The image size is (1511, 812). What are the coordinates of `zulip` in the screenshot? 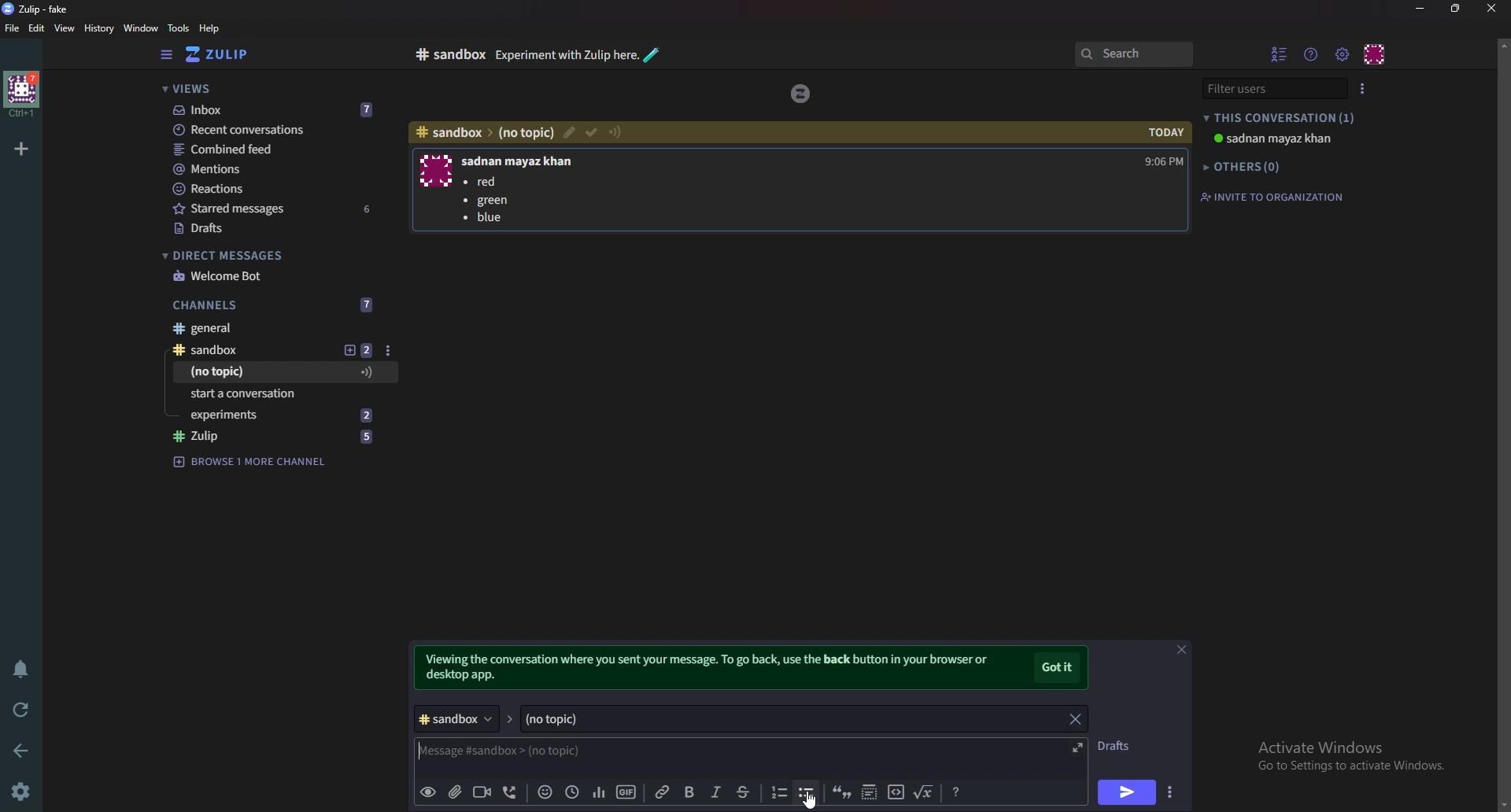 It's located at (283, 438).